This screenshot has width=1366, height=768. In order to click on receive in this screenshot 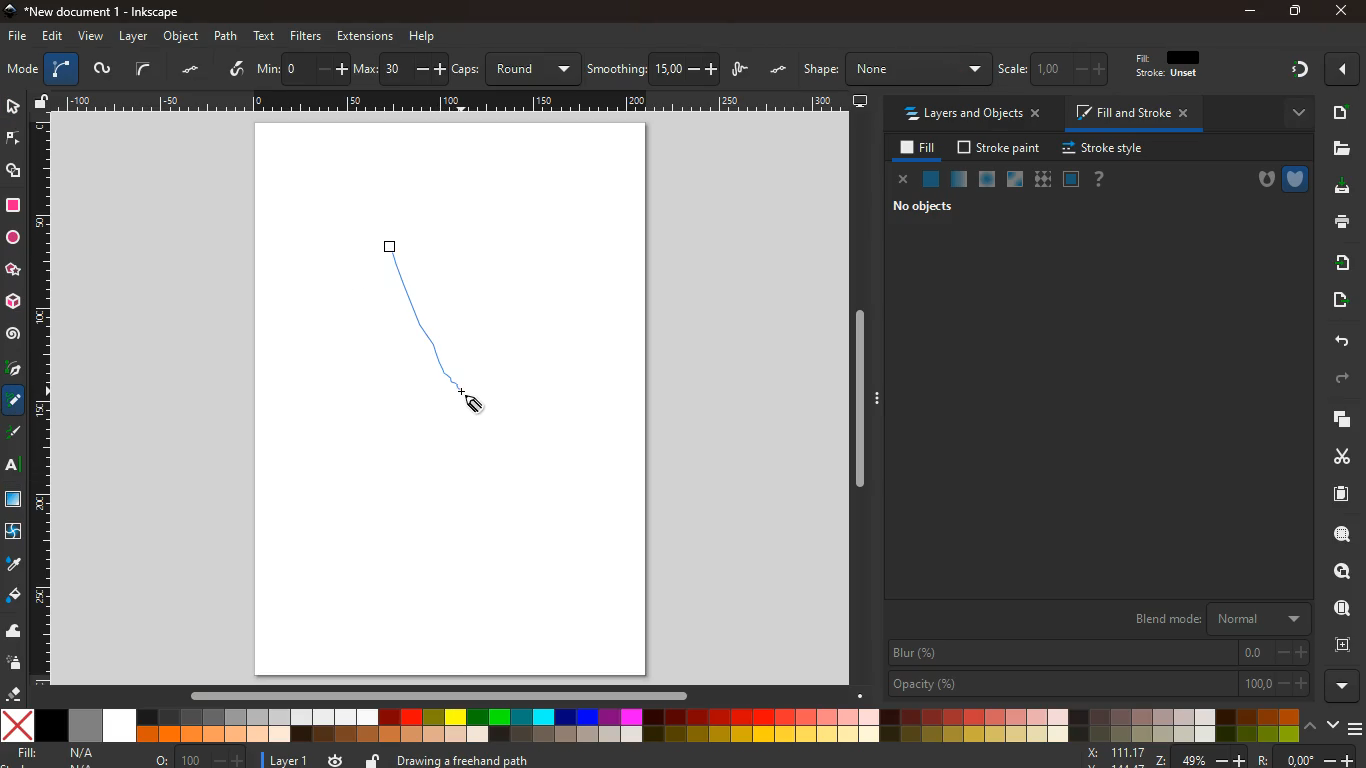, I will do `click(1341, 261)`.